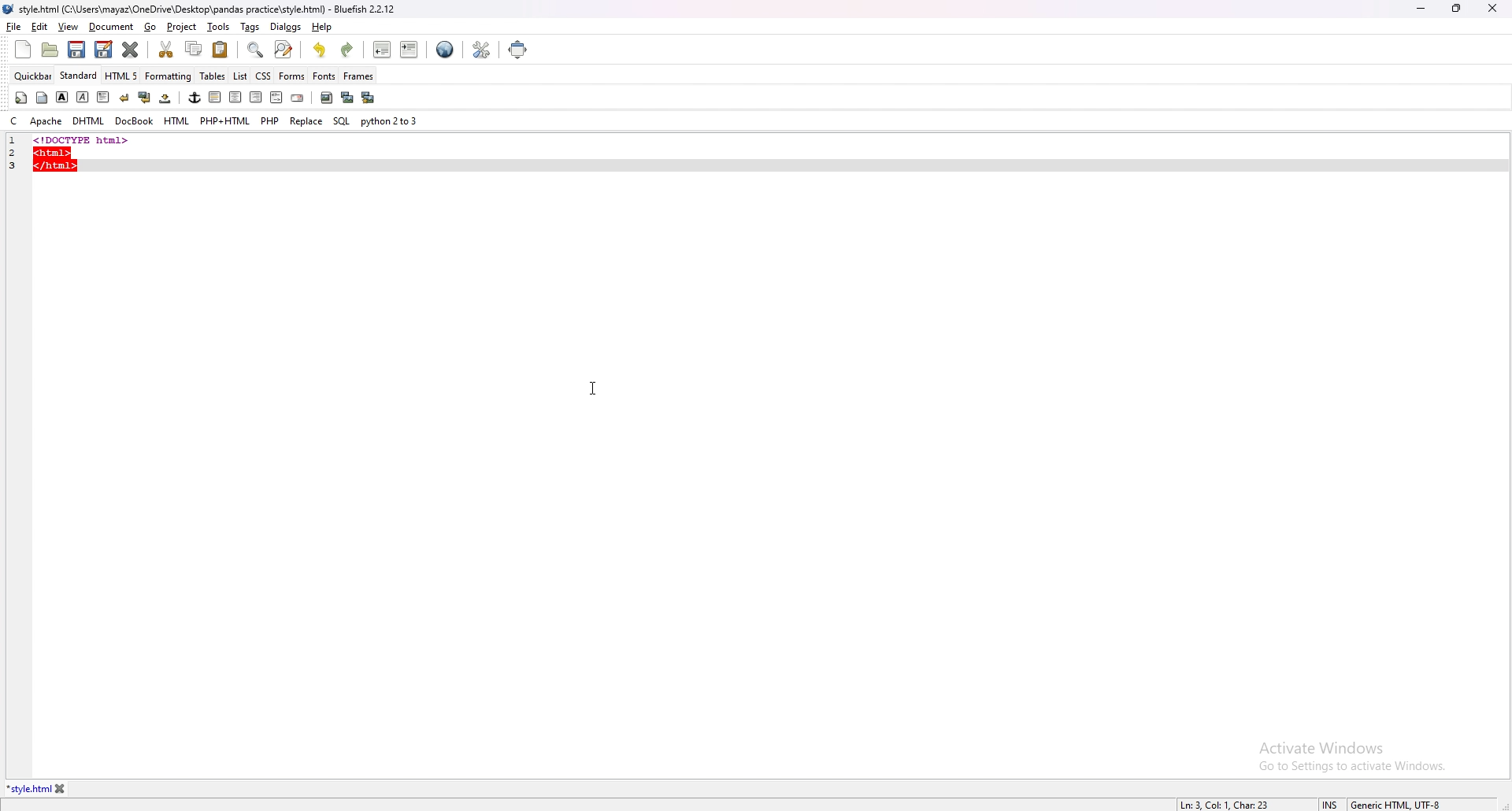  What do you see at coordinates (391, 121) in the screenshot?
I see `python 2to3` at bounding box center [391, 121].